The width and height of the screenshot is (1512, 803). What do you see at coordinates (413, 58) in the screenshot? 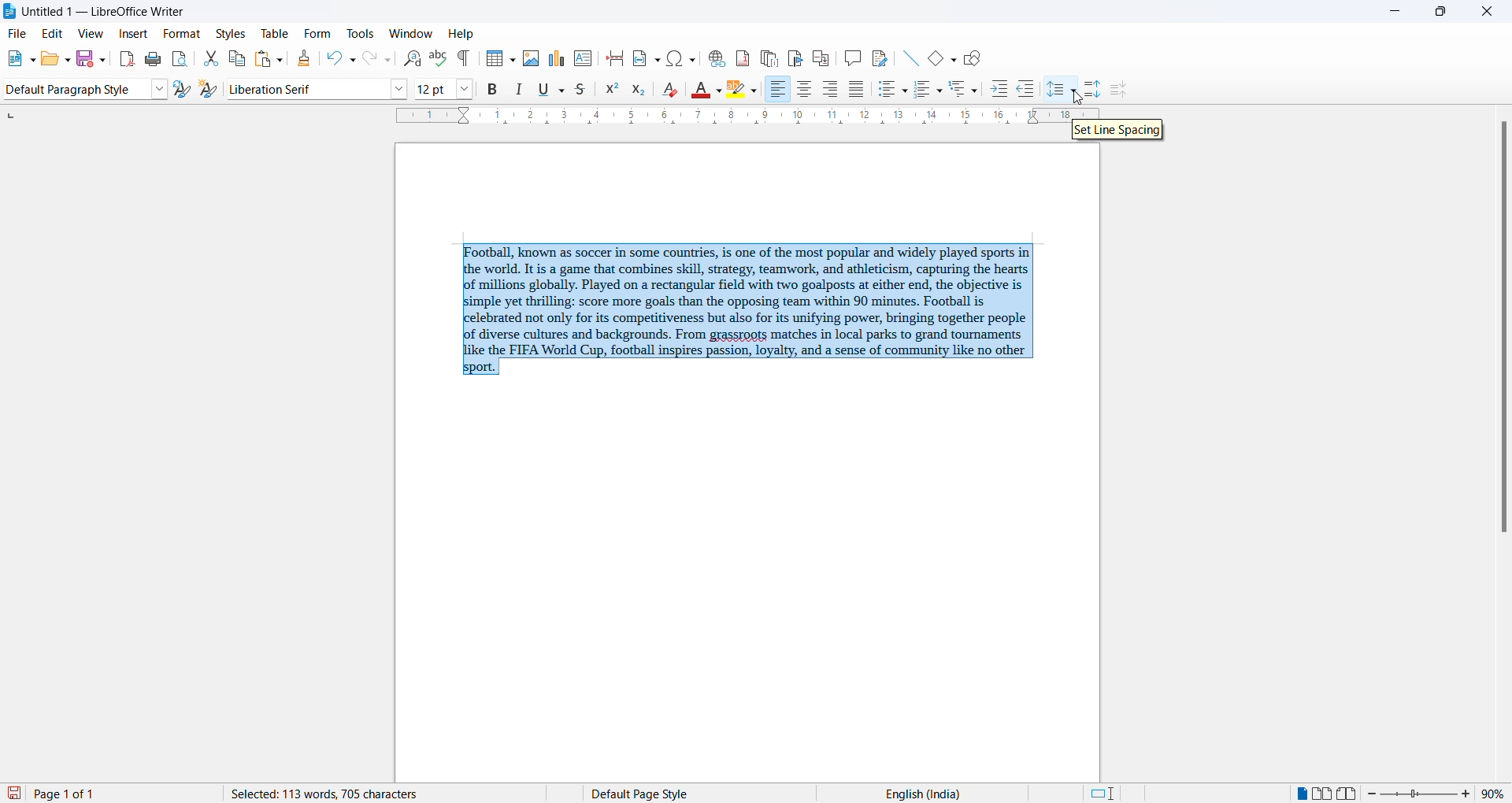
I see `find and replace` at bounding box center [413, 58].